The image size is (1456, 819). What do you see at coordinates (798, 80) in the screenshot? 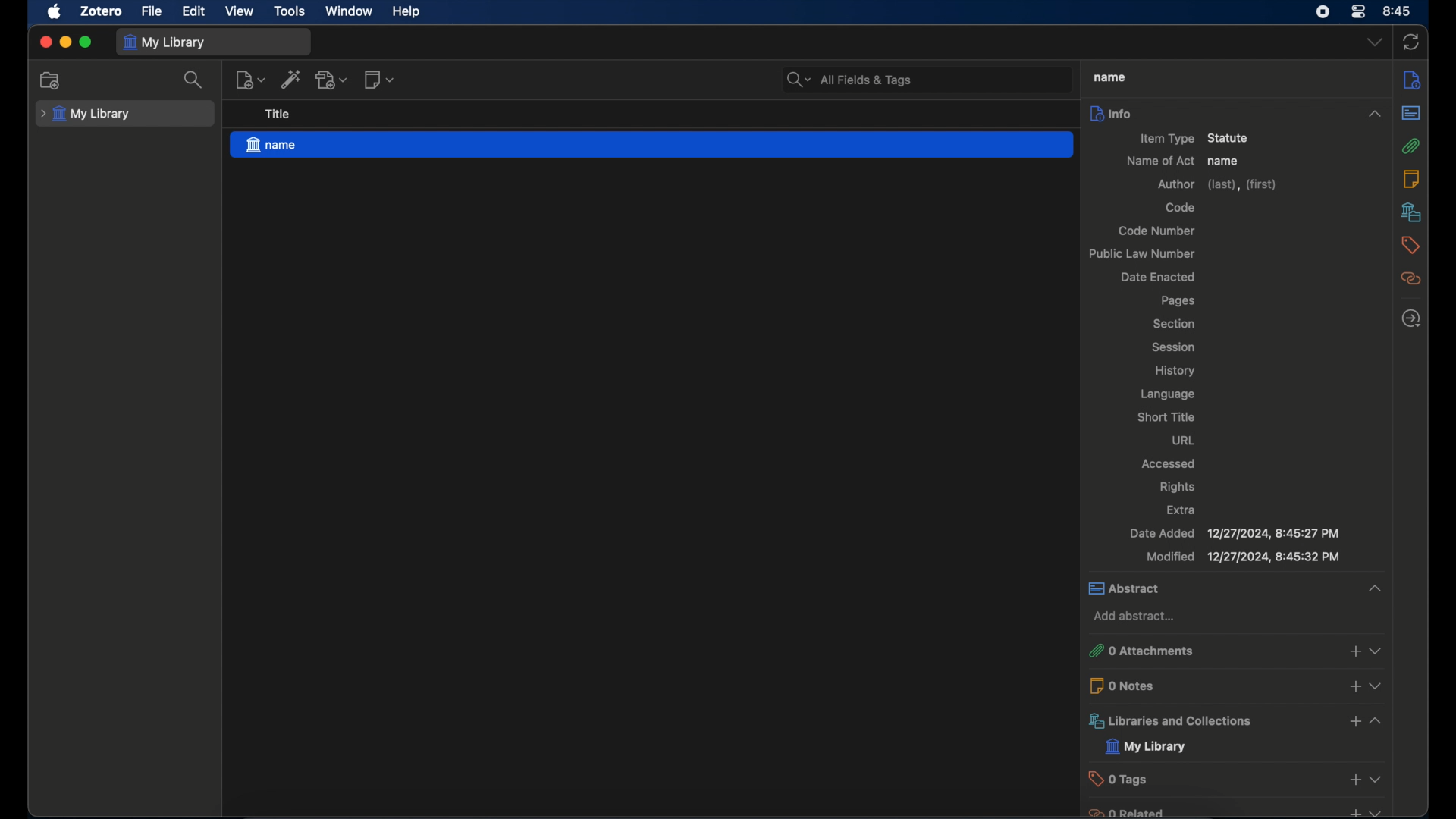
I see `search dropdown` at bounding box center [798, 80].